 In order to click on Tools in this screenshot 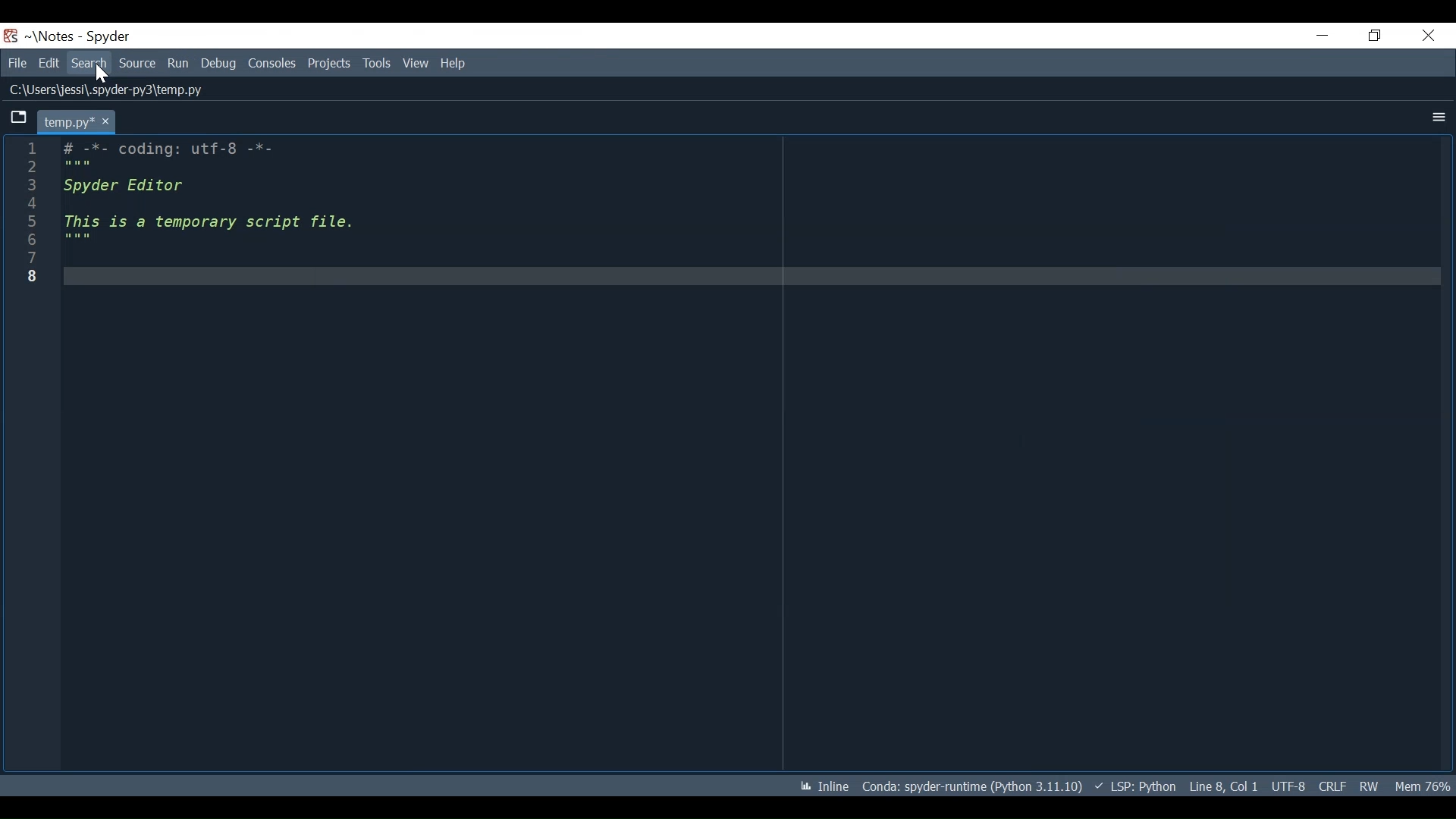, I will do `click(378, 63)`.